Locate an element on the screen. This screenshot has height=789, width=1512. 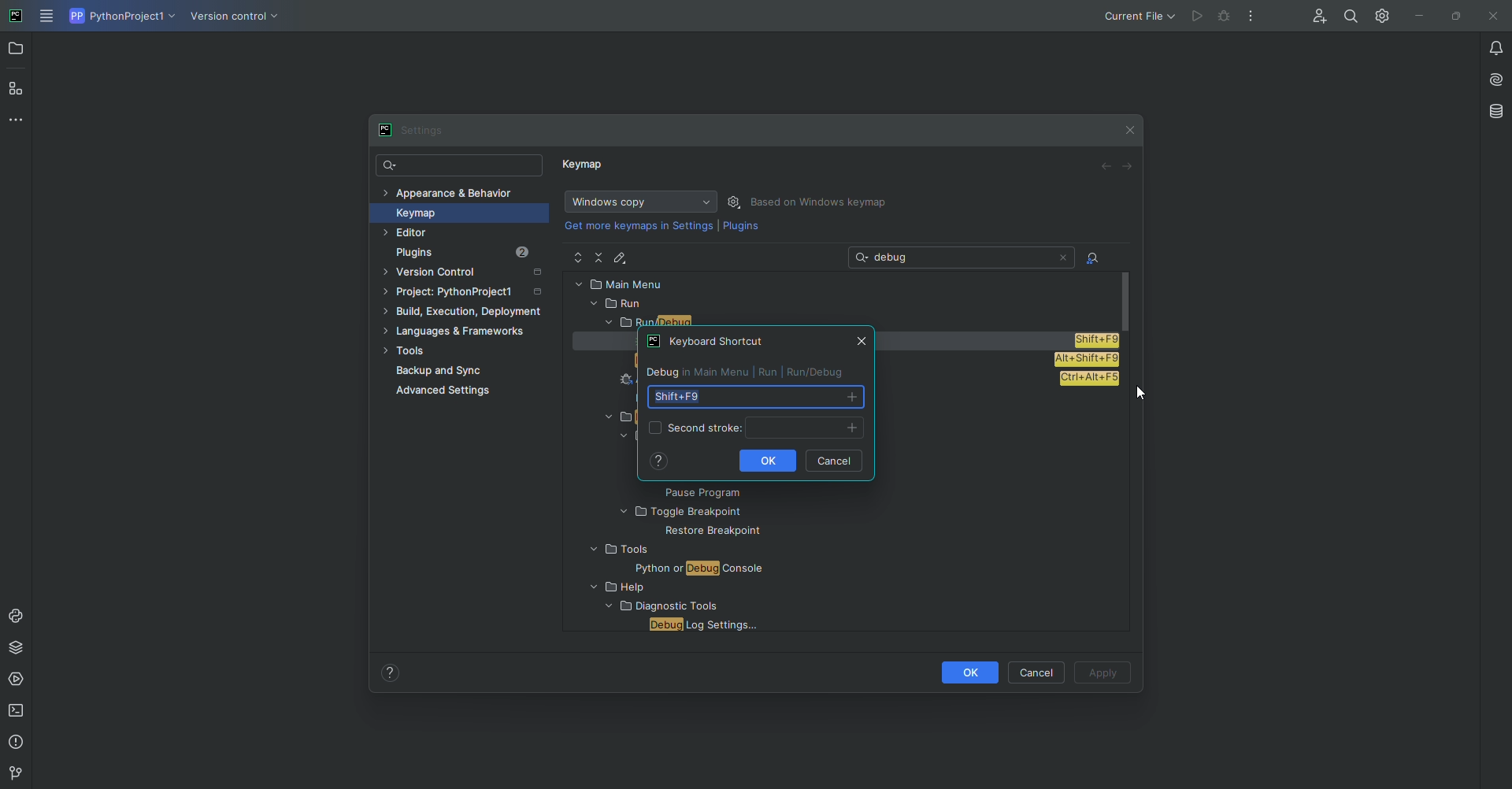
FOLDER NAME is located at coordinates (658, 550).